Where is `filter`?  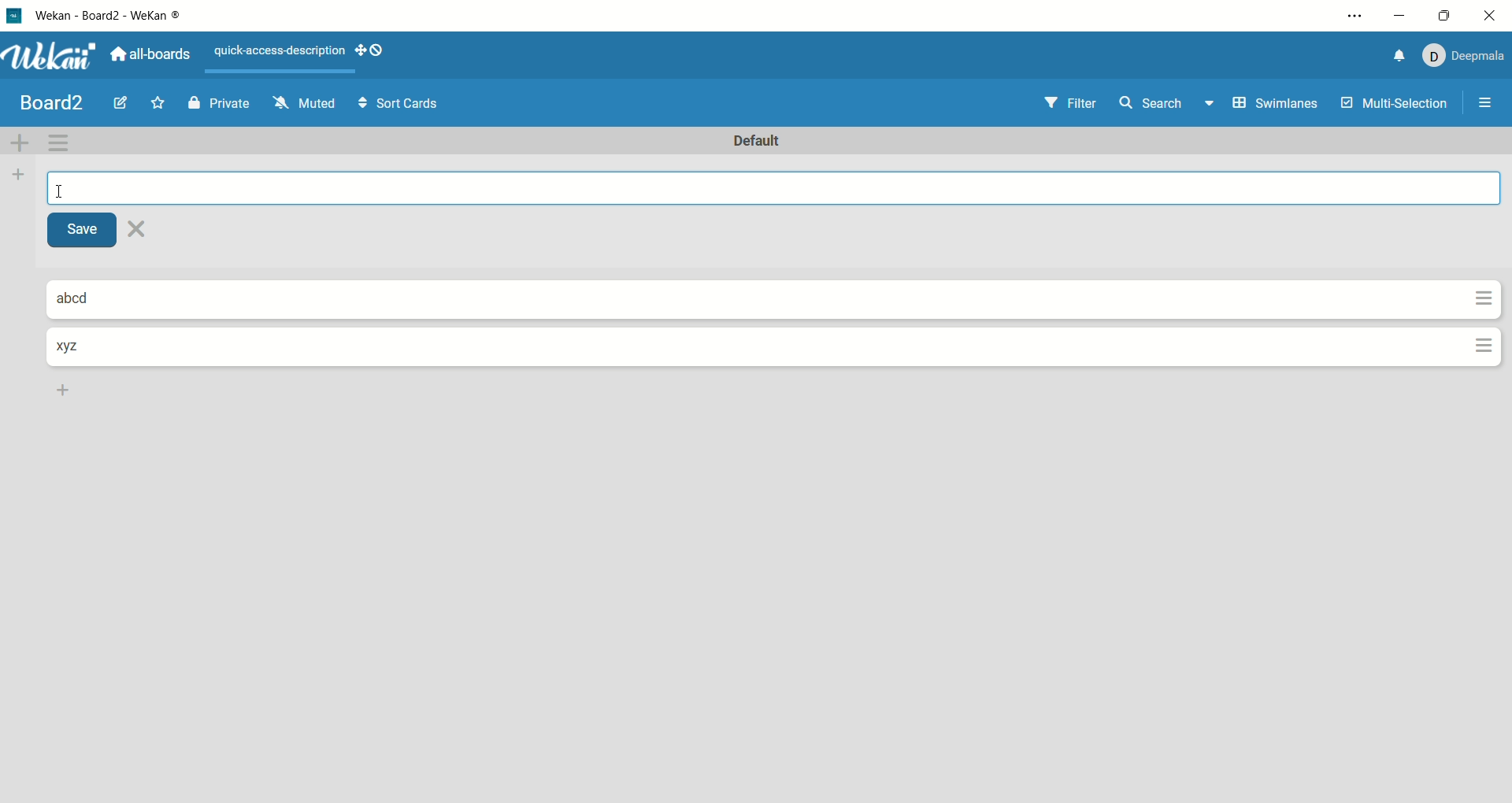
filter is located at coordinates (1066, 102).